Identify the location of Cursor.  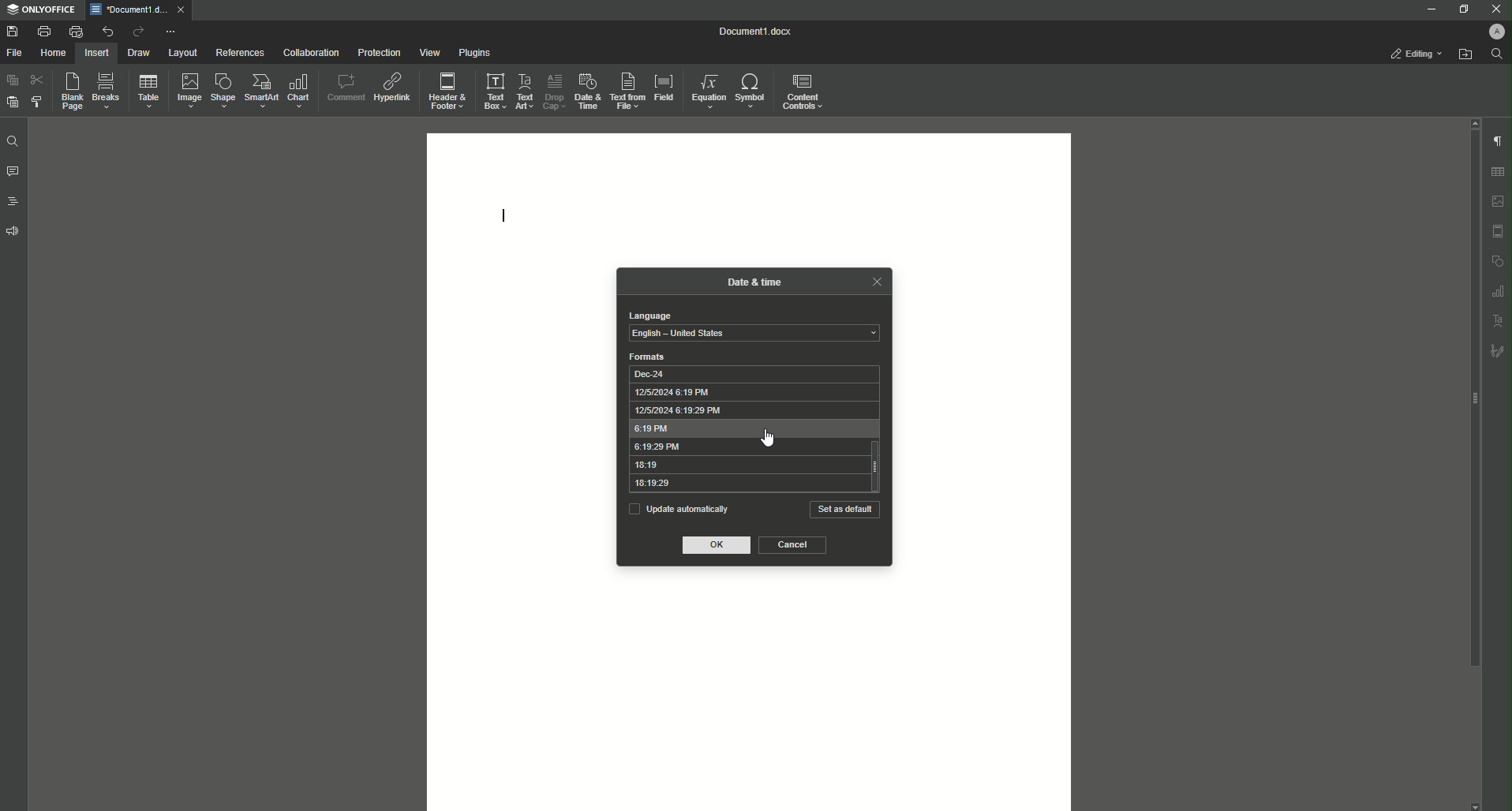
(766, 439).